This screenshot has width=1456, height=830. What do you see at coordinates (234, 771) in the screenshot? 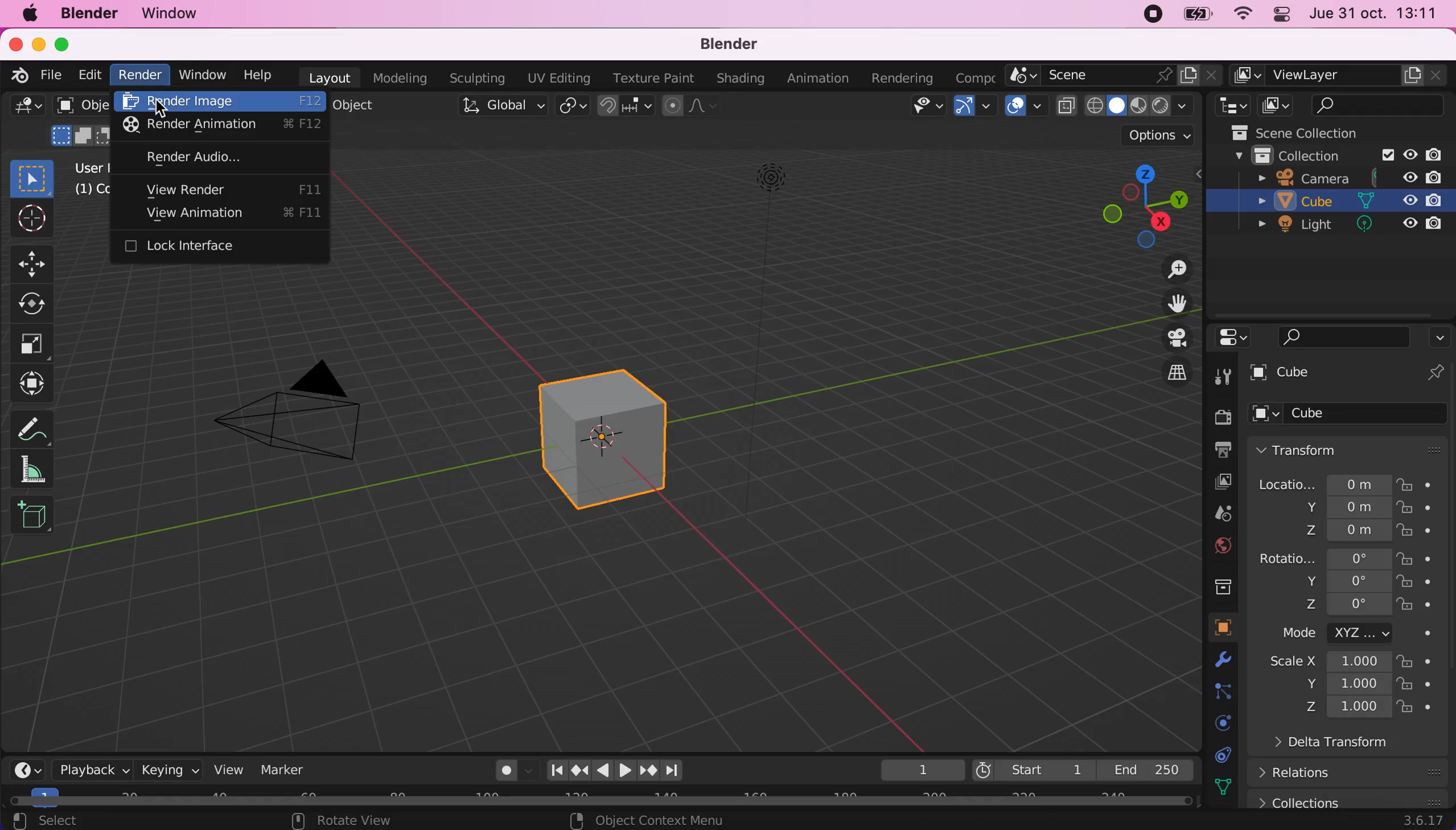
I see `view` at bounding box center [234, 771].